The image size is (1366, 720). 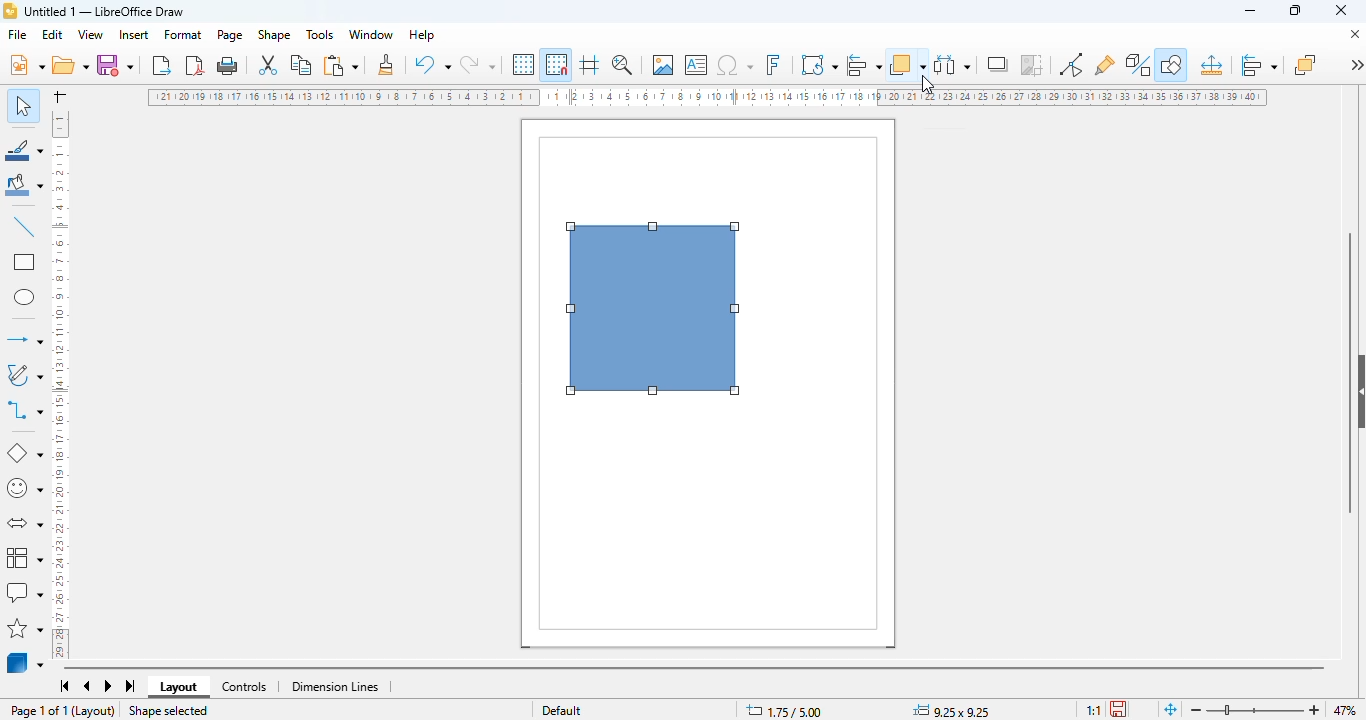 What do you see at coordinates (302, 65) in the screenshot?
I see `copy` at bounding box center [302, 65].